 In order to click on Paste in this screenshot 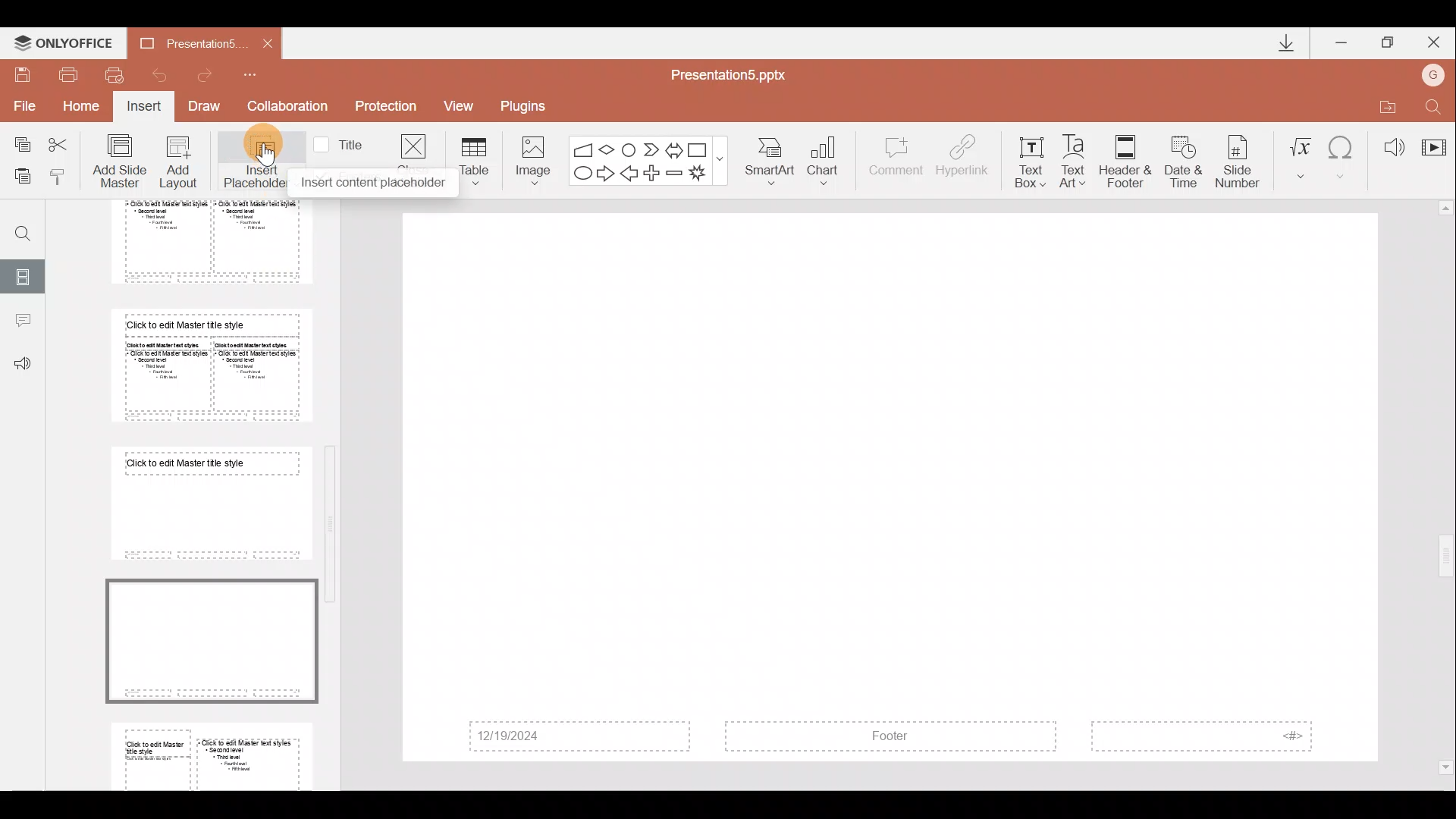, I will do `click(22, 178)`.